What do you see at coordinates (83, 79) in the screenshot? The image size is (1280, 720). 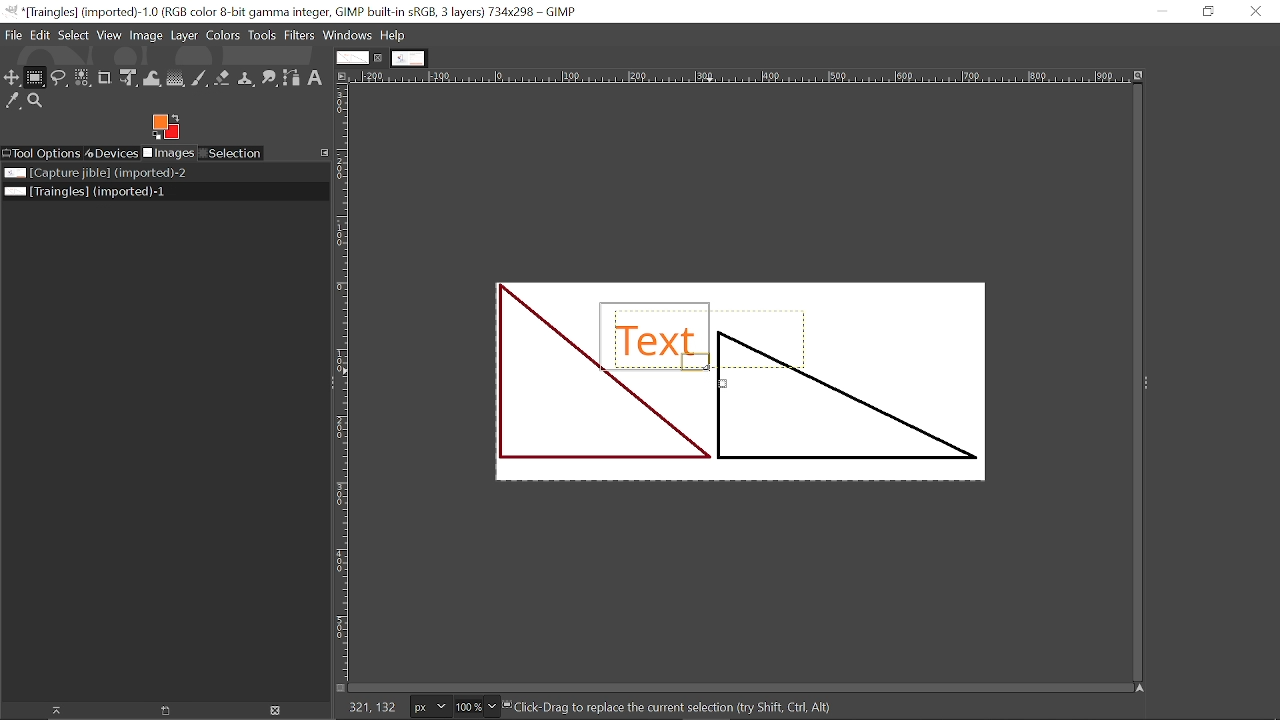 I see `Select by color` at bounding box center [83, 79].